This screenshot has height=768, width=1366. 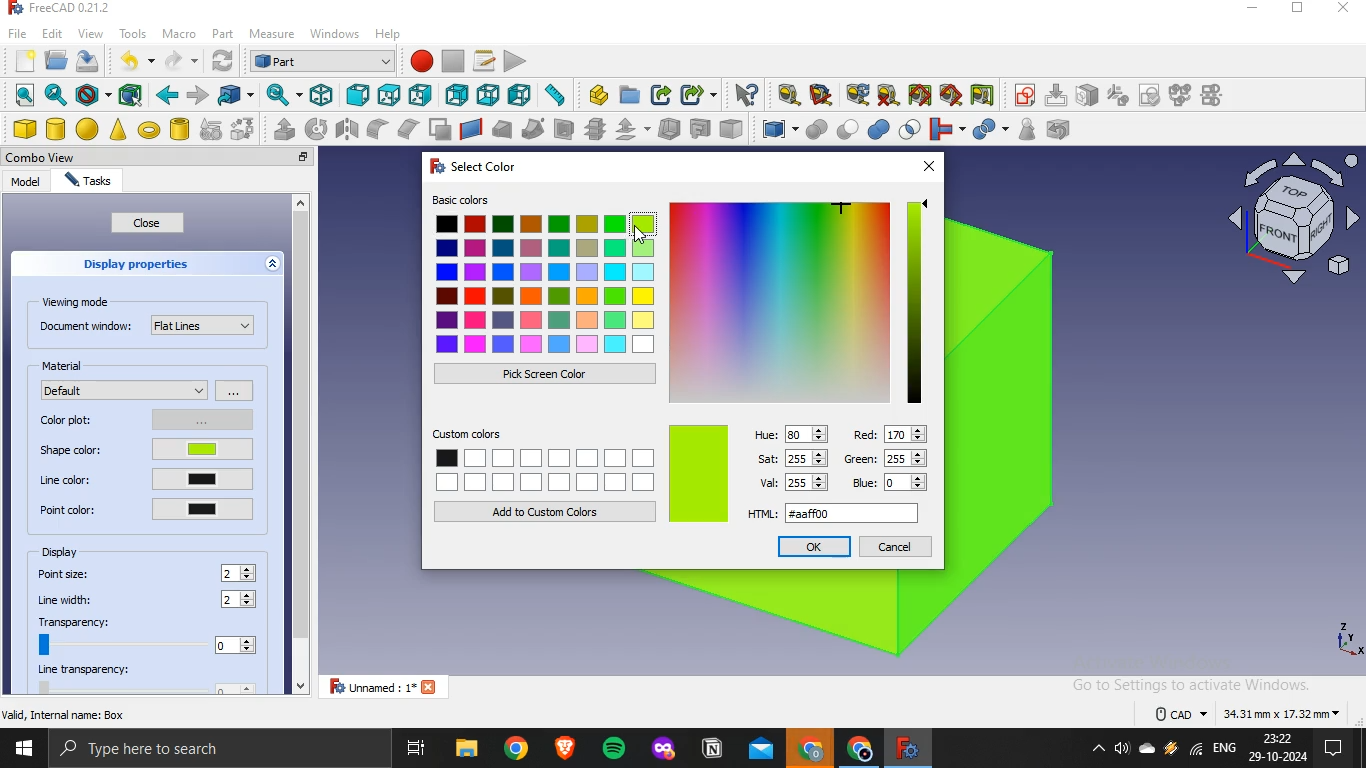 I want to click on loft, so click(x=501, y=129).